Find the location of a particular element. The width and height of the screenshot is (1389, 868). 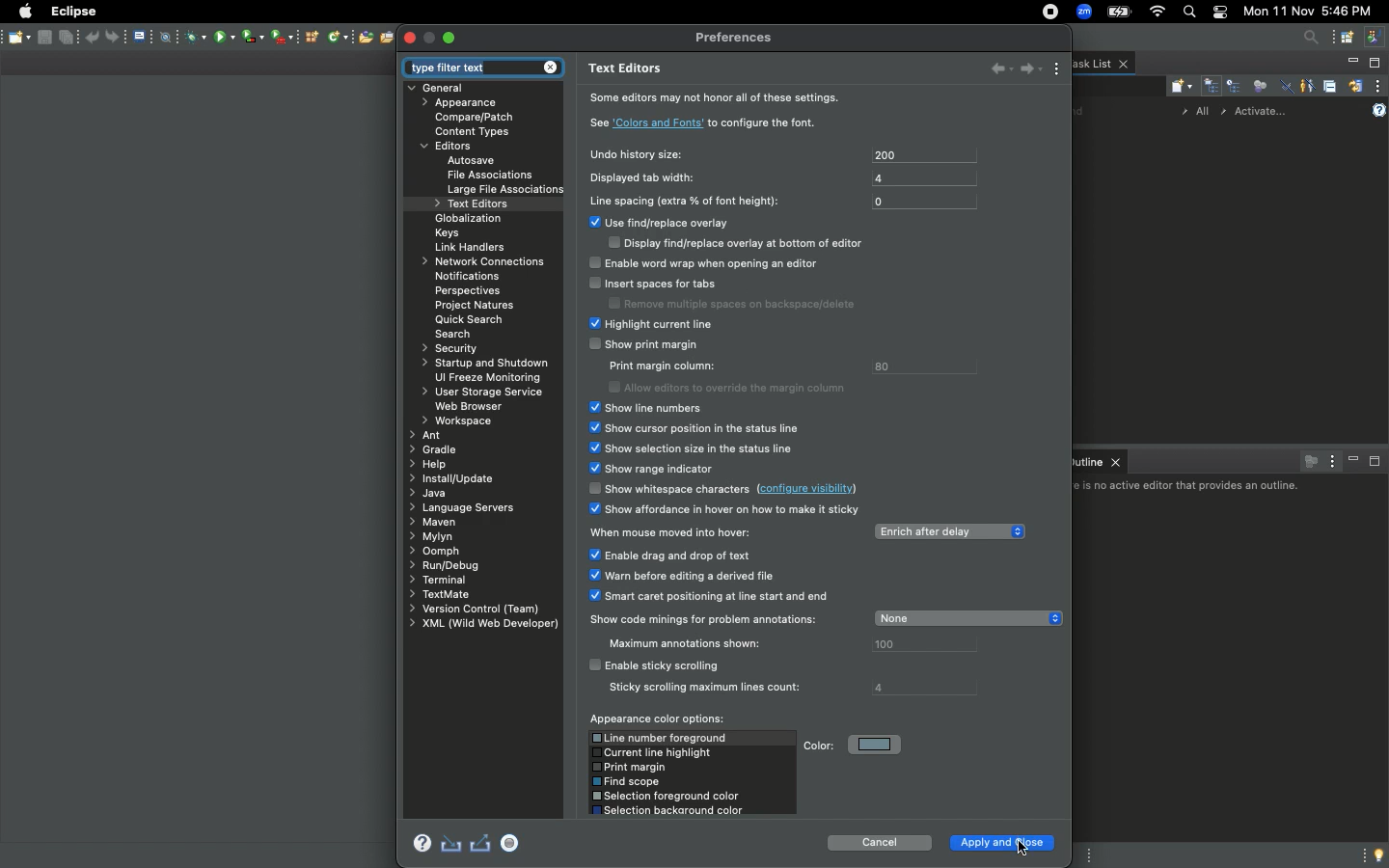

View menu is located at coordinates (1379, 86).